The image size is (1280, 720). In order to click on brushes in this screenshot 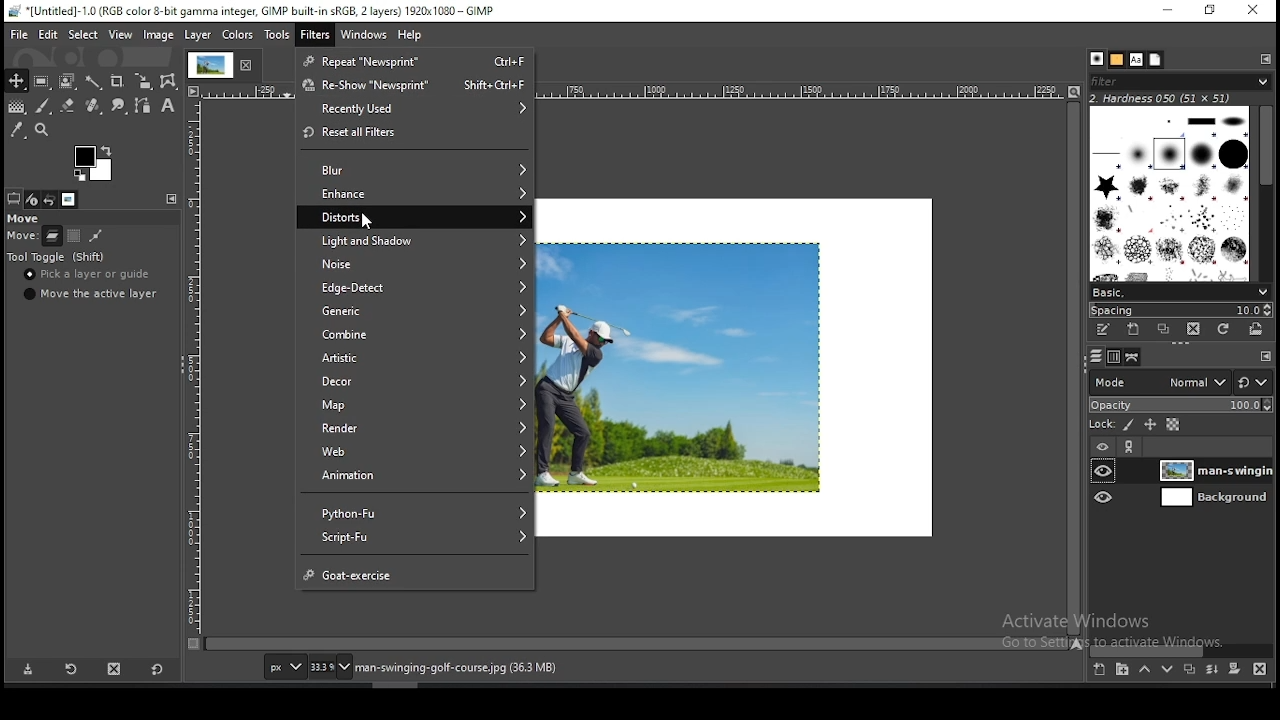, I will do `click(1096, 58)`.